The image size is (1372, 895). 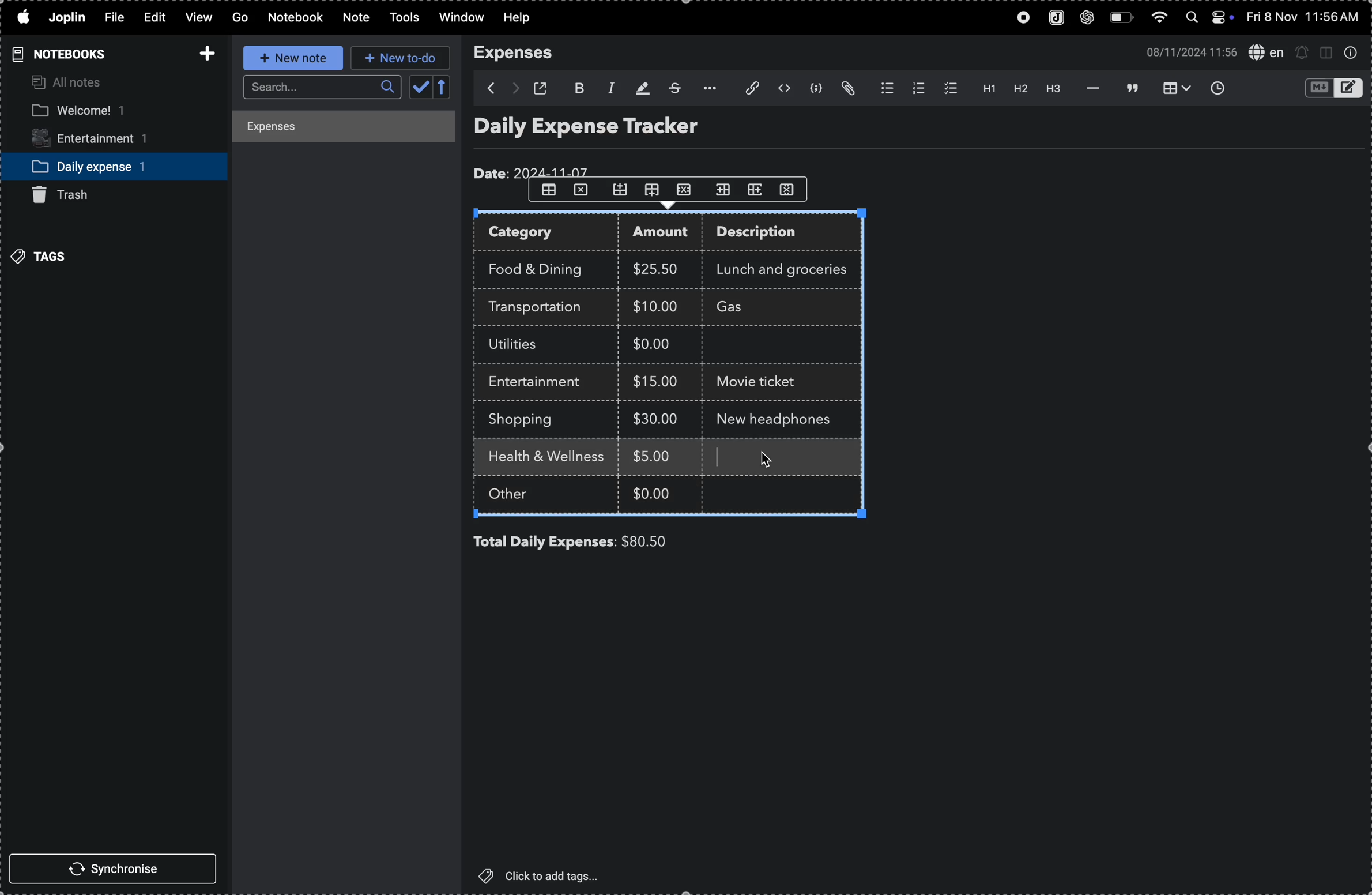 What do you see at coordinates (1305, 17) in the screenshot?
I see `date and time` at bounding box center [1305, 17].